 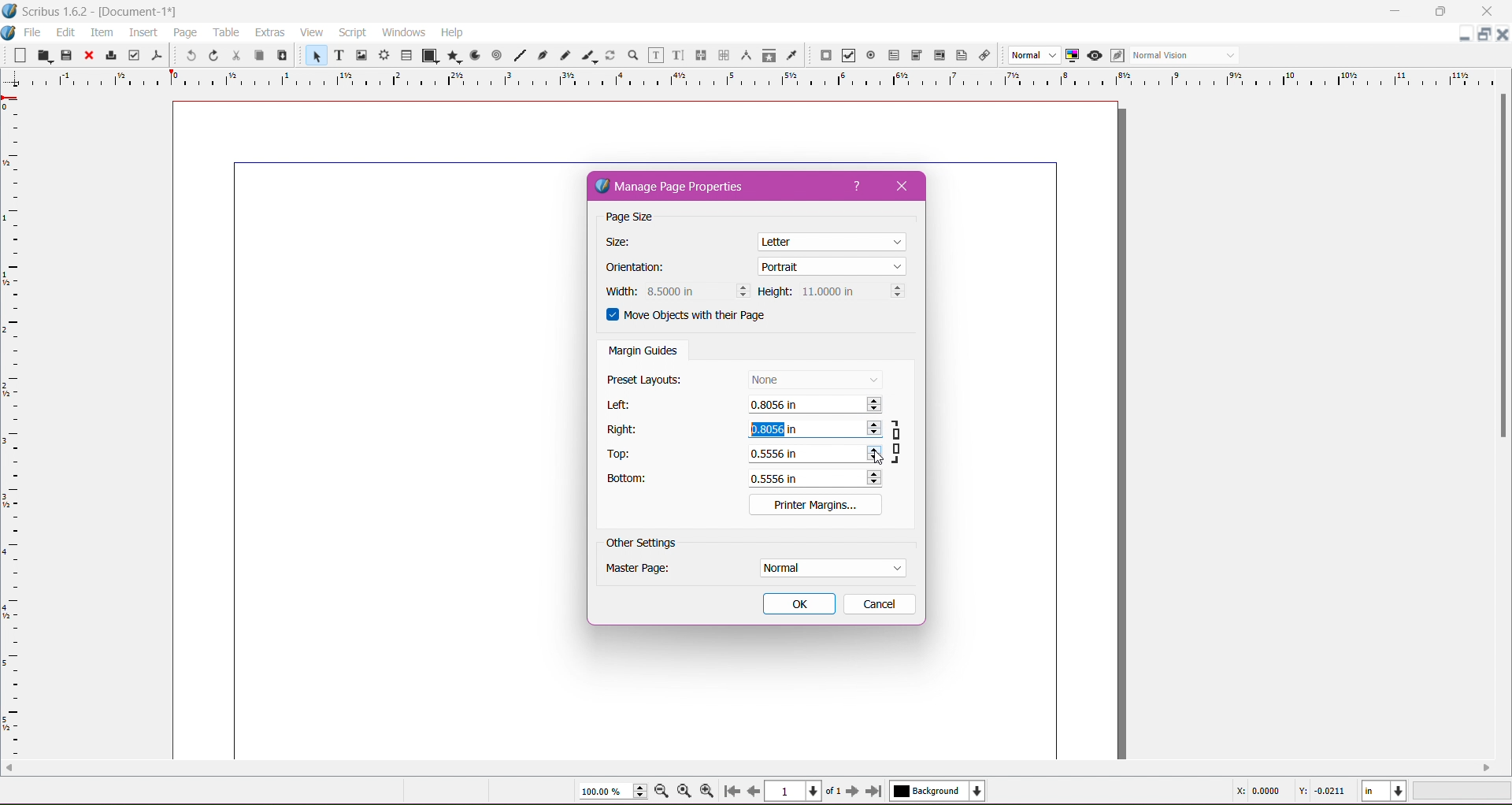 What do you see at coordinates (791, 55) in the screenshot?
I see `Eye Dropper` at bounding box center [791, 55].